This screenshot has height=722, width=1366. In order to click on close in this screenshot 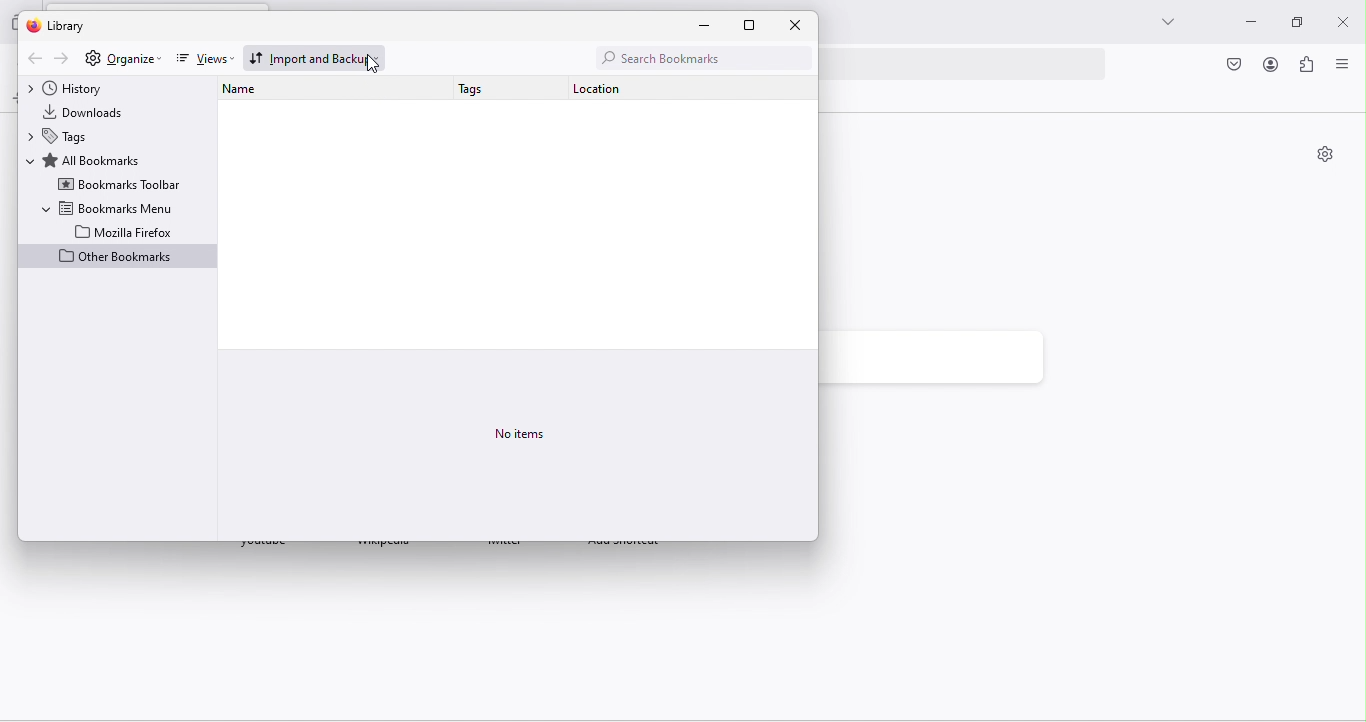, I will do `click(797, 26)`.